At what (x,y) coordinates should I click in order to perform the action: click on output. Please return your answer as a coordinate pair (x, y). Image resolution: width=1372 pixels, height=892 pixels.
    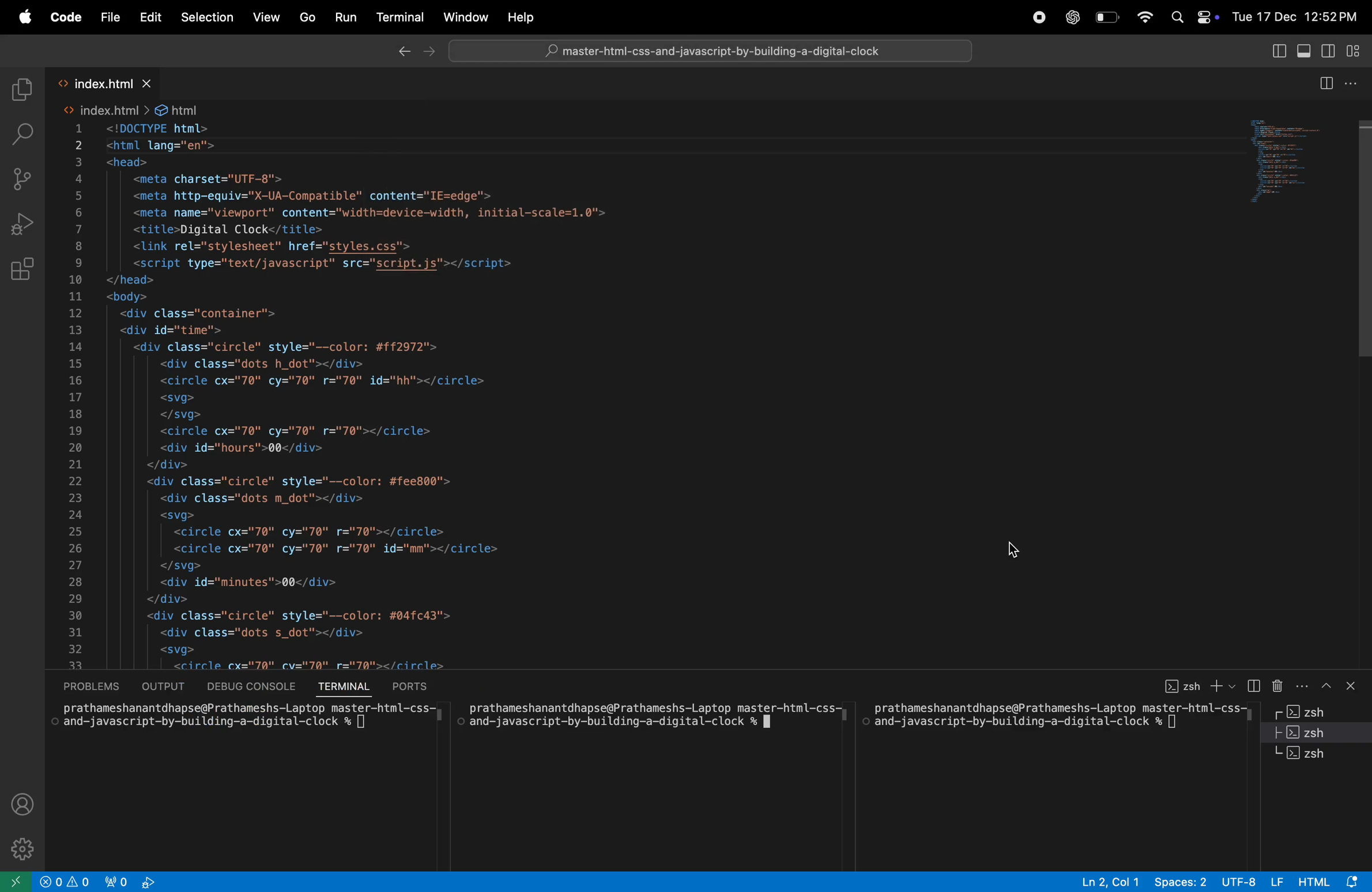
    Looking at the image, I should click on (163, 687).